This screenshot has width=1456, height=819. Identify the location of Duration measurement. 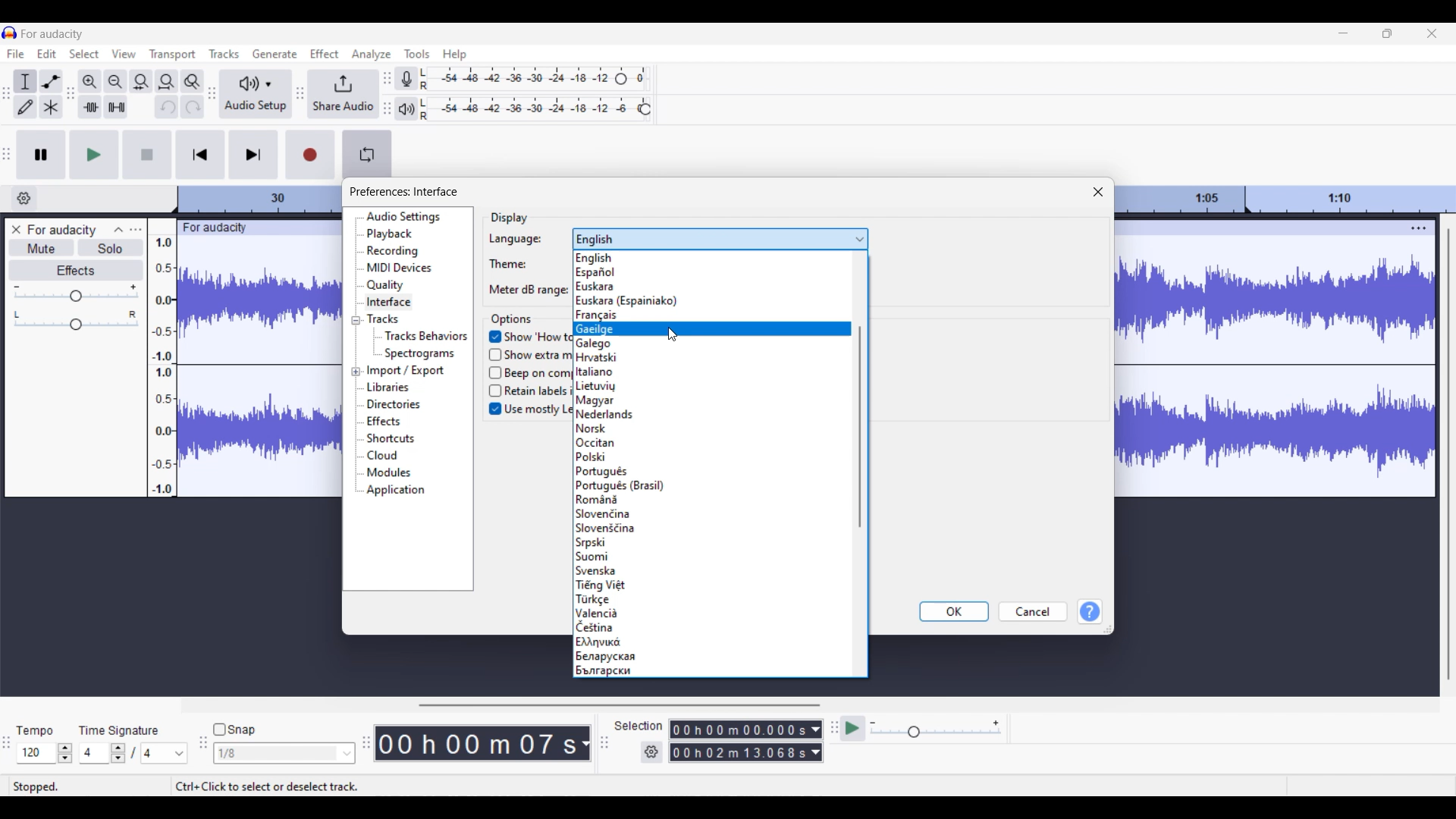
(817, 741).